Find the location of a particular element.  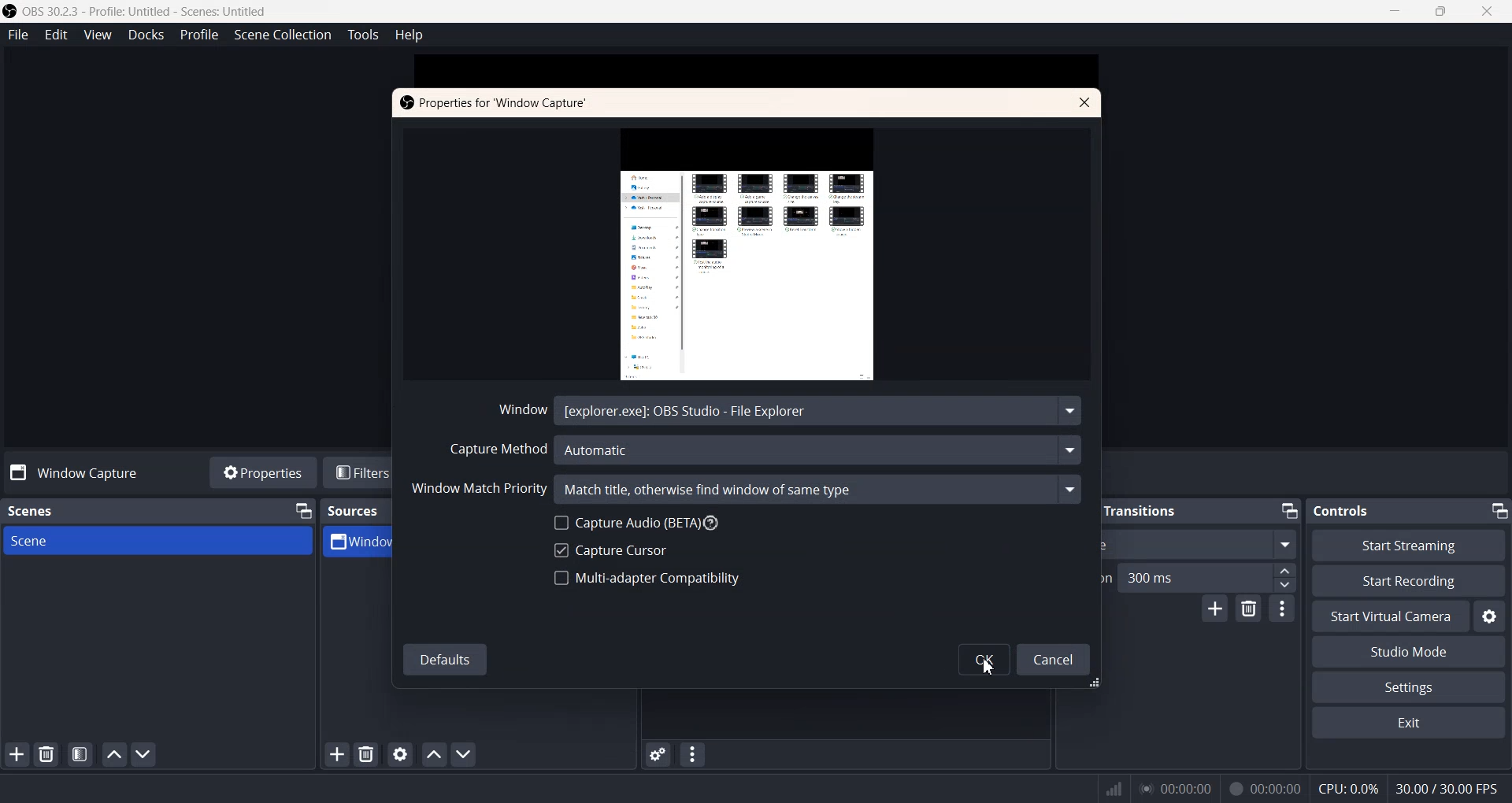

Exit is located at coordinates (1412, 724).